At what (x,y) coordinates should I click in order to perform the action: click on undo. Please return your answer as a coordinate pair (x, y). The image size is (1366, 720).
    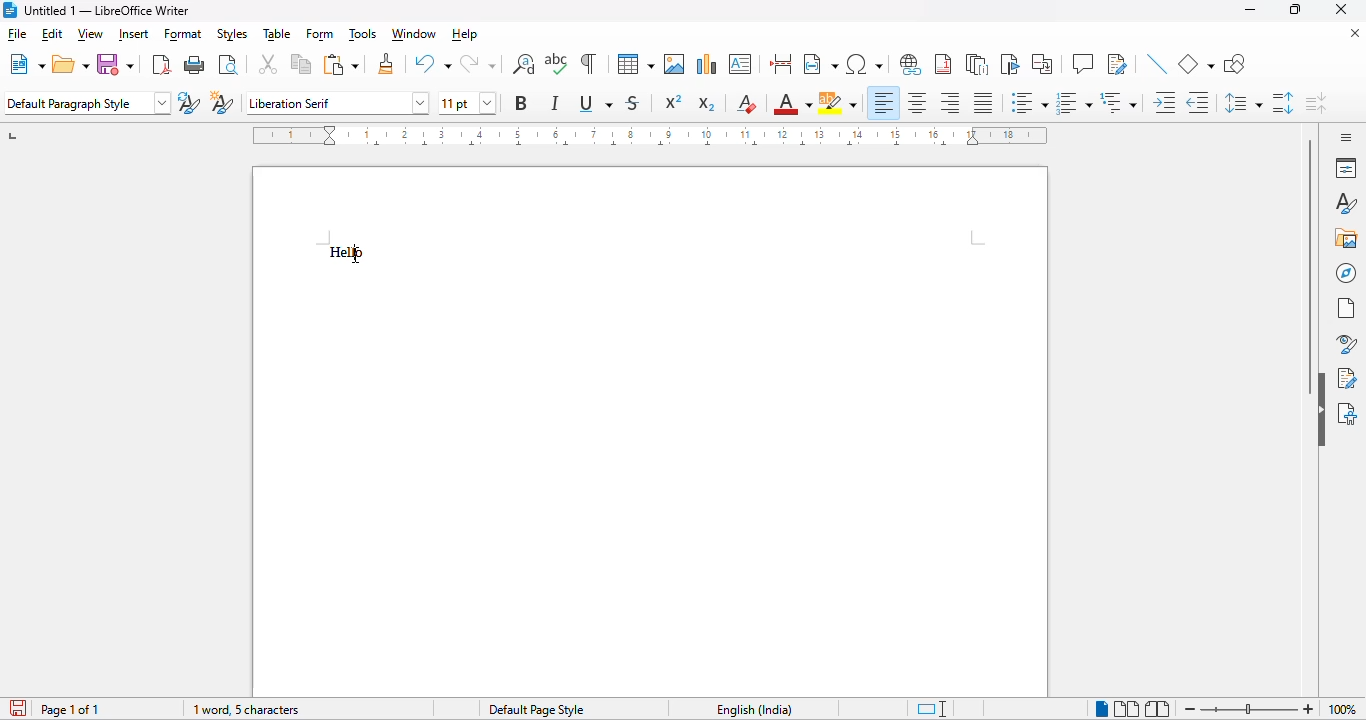
    Looking at the image, I should click on (432, 64).